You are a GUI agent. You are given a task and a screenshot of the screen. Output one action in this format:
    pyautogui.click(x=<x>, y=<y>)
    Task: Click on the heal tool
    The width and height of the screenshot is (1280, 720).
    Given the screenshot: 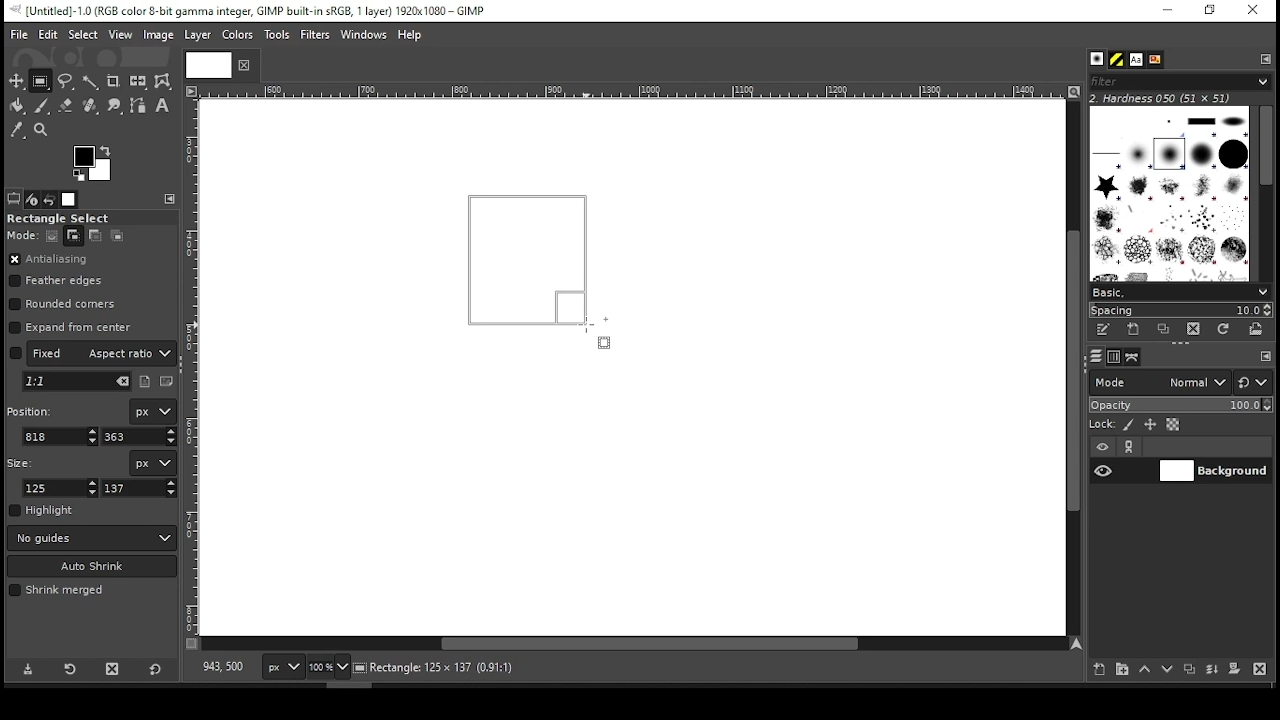 What is the action you would take?
    pyautogui.click(x=92, y=107)
    